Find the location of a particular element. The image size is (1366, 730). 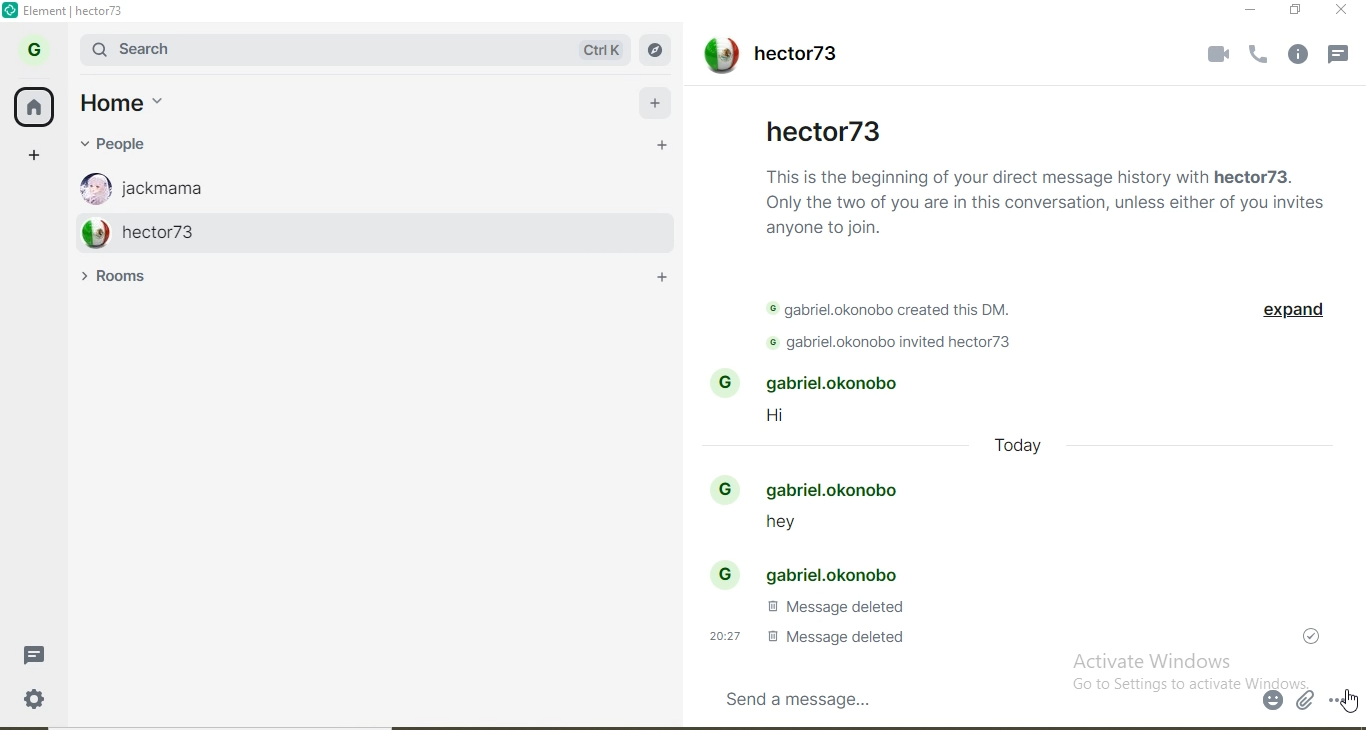

Hi is located at coordinates (788, 419).